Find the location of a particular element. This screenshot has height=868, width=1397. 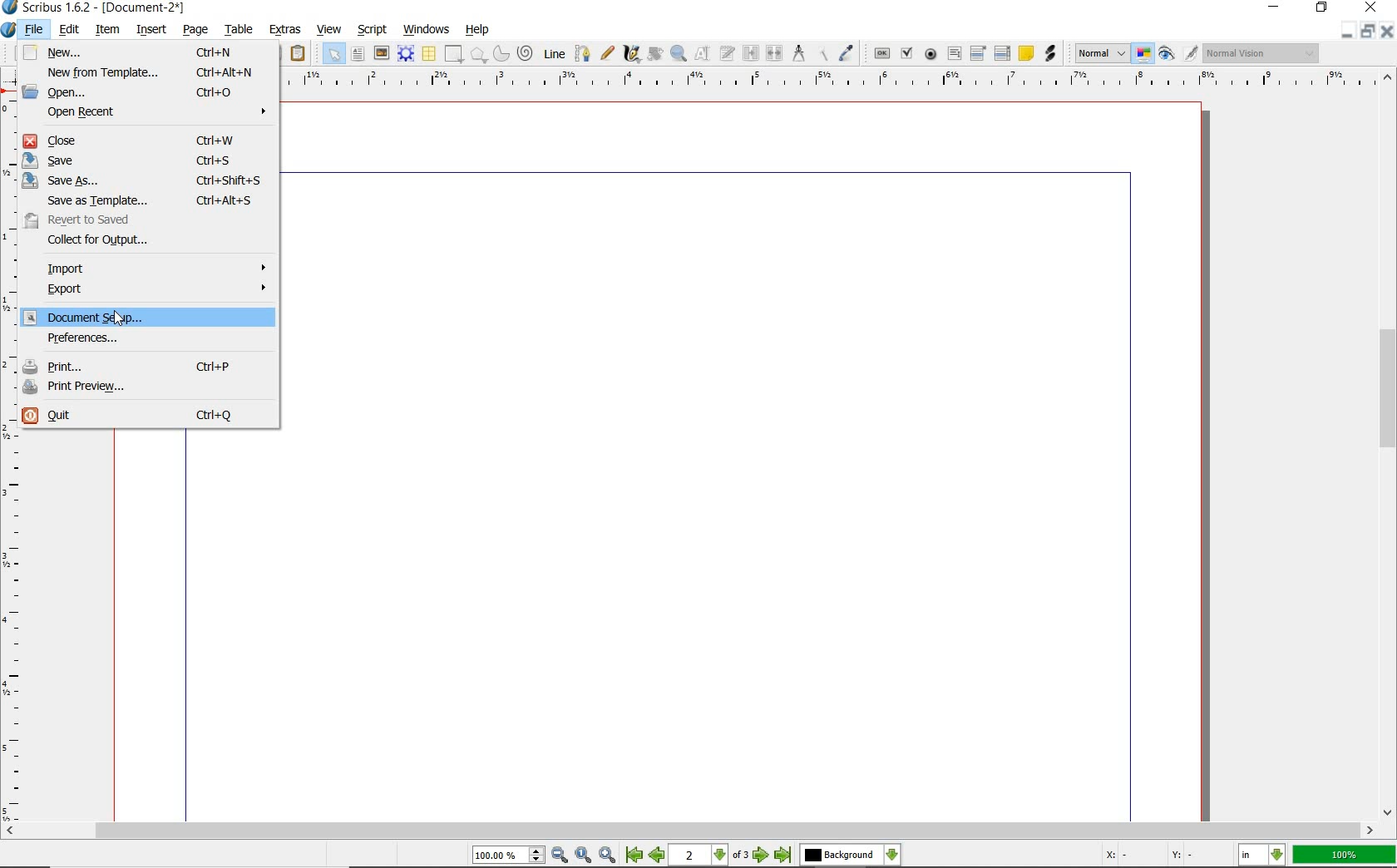

collect for output is located at coordinates (147, 241).